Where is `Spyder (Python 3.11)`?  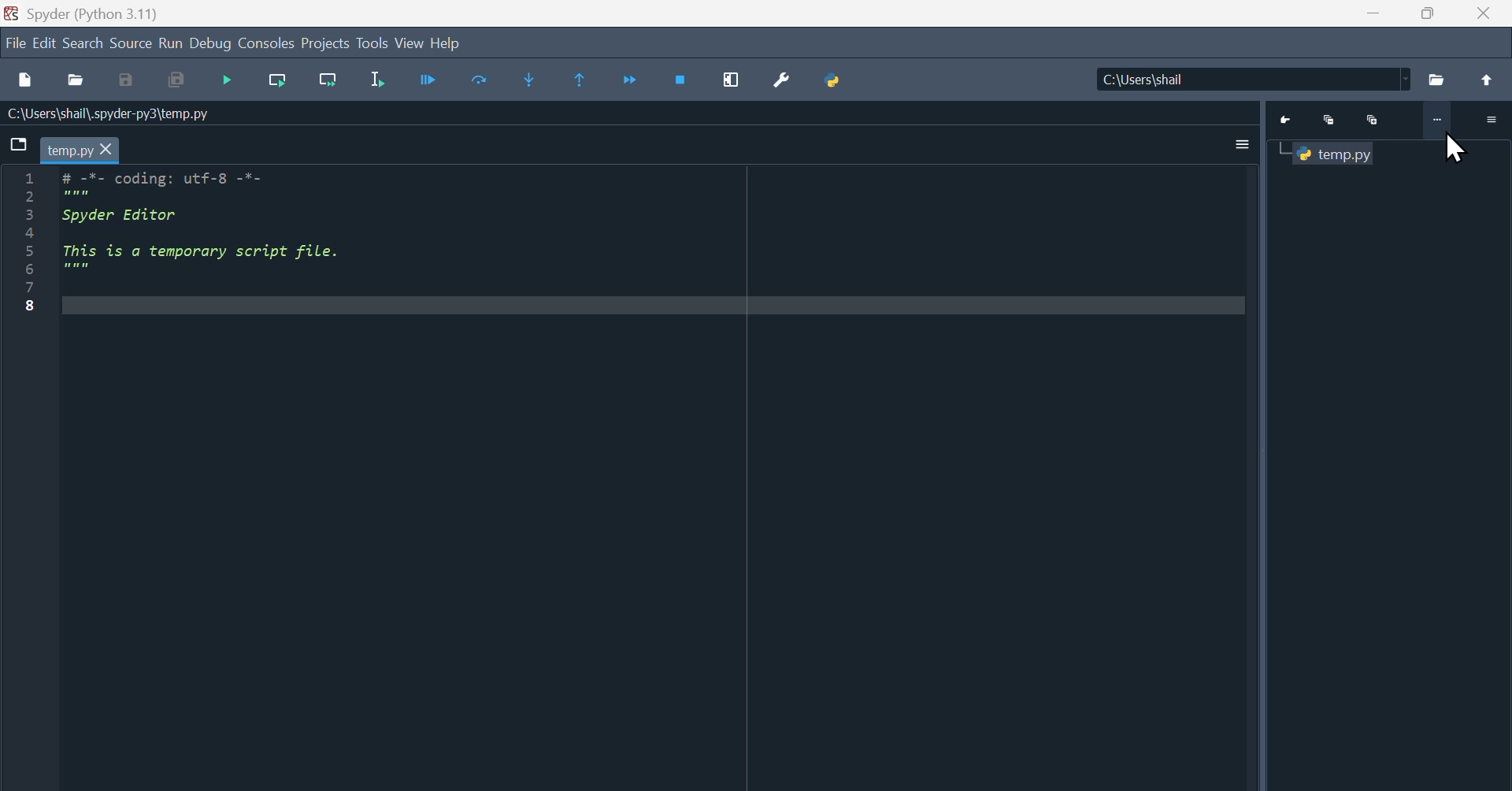 Spyder (Python 3.11) is located at coordinates (94, 14).